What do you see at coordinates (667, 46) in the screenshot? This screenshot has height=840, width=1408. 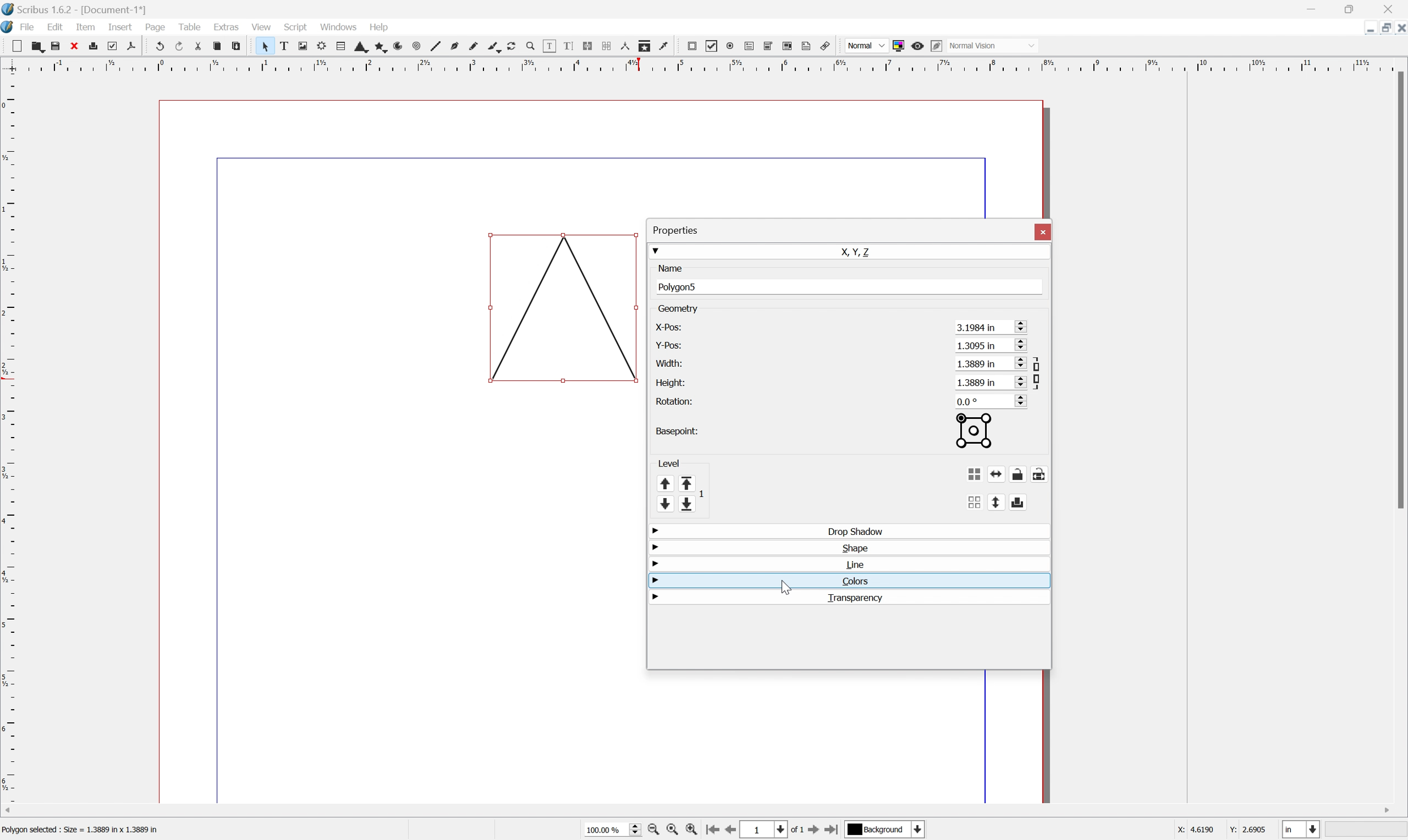 I see `Eye dropper` at bounding box center [667, 46].